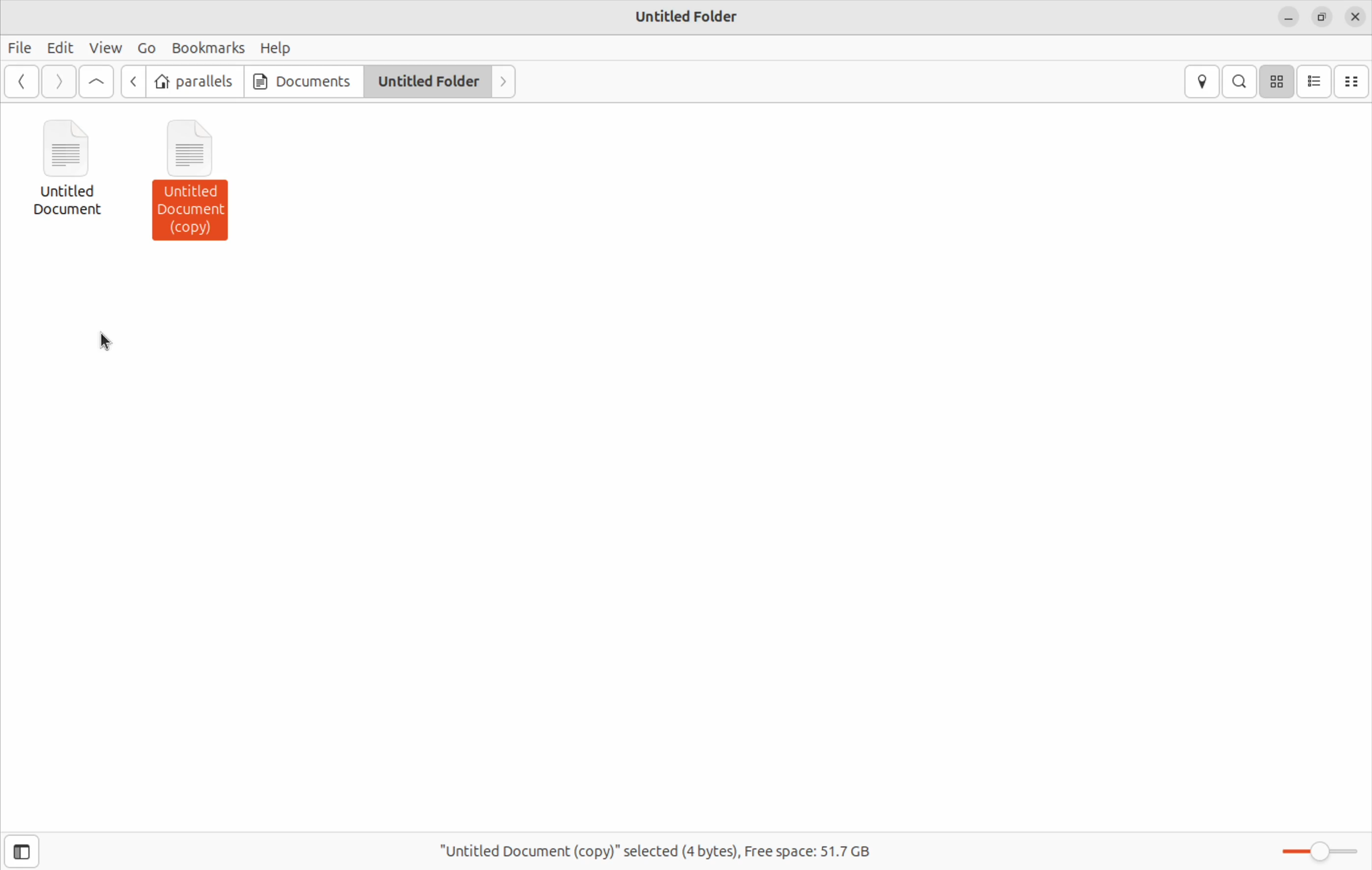 The height and width of the screenshot is (870, 1372). I want to click on list view, so click(1316, 81).